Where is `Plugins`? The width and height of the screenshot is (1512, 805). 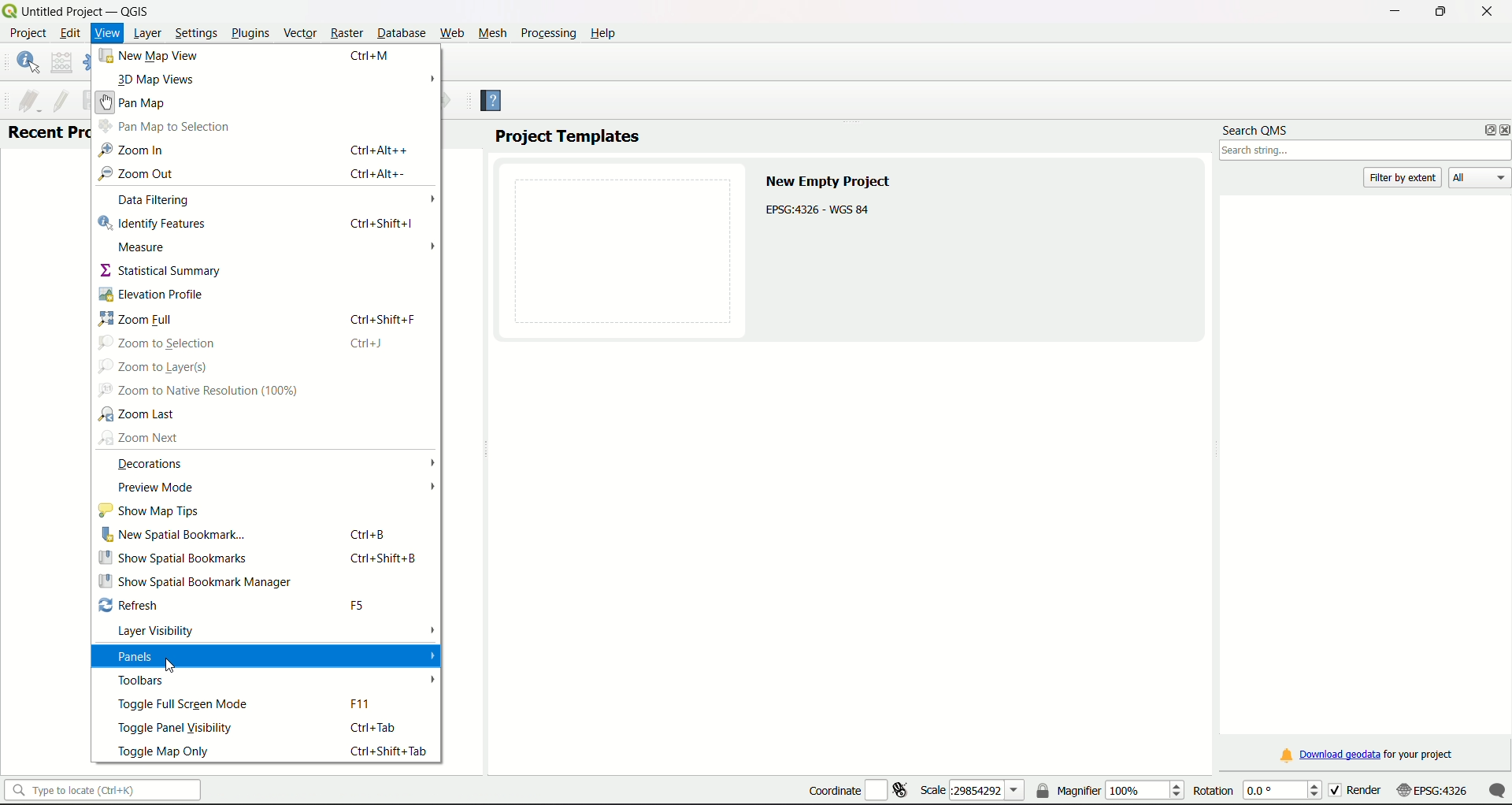
Plugins is located at coordinates (250, 33).